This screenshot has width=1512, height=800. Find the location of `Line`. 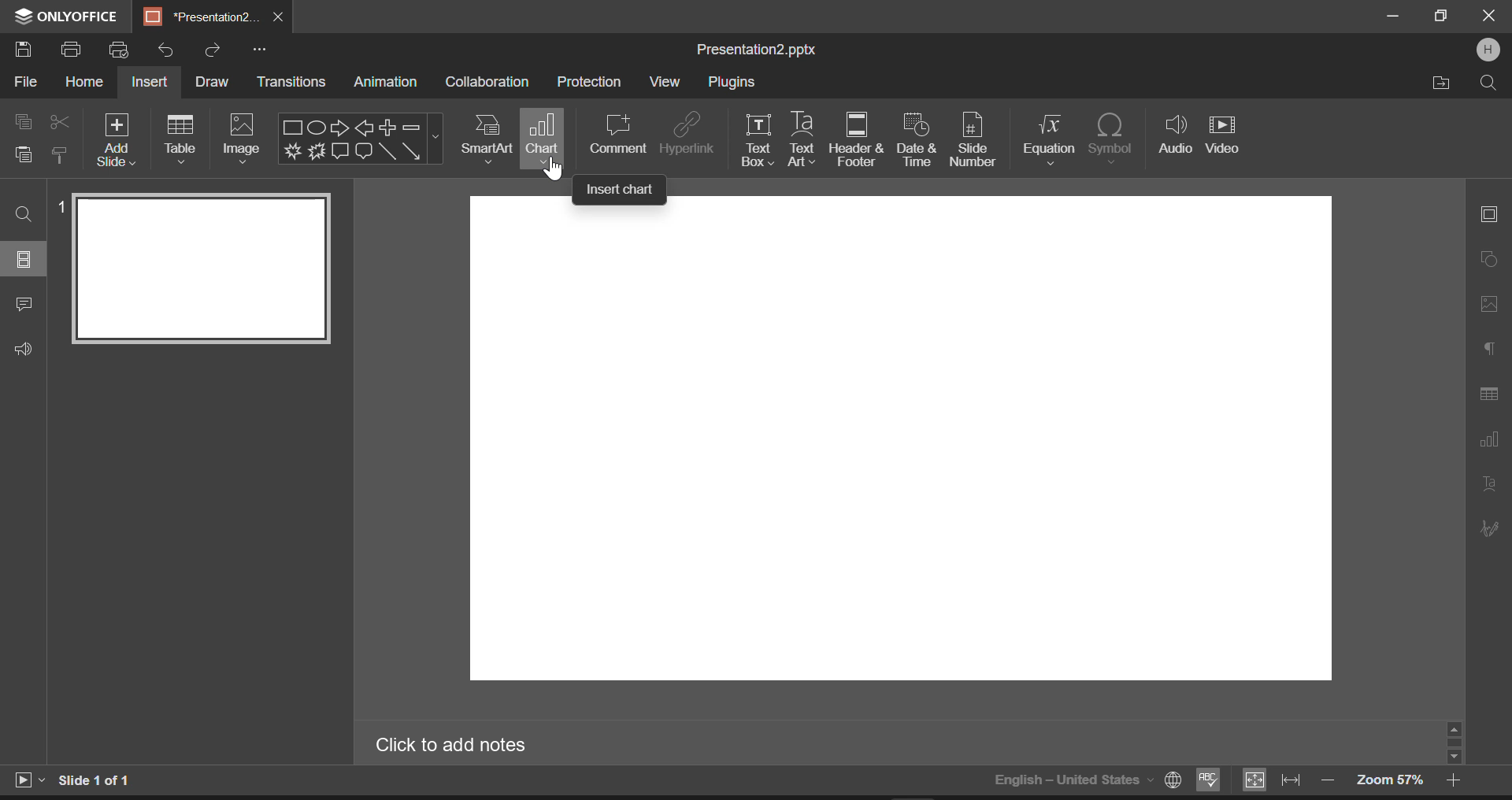

Line is located at coordinates (387, 152).